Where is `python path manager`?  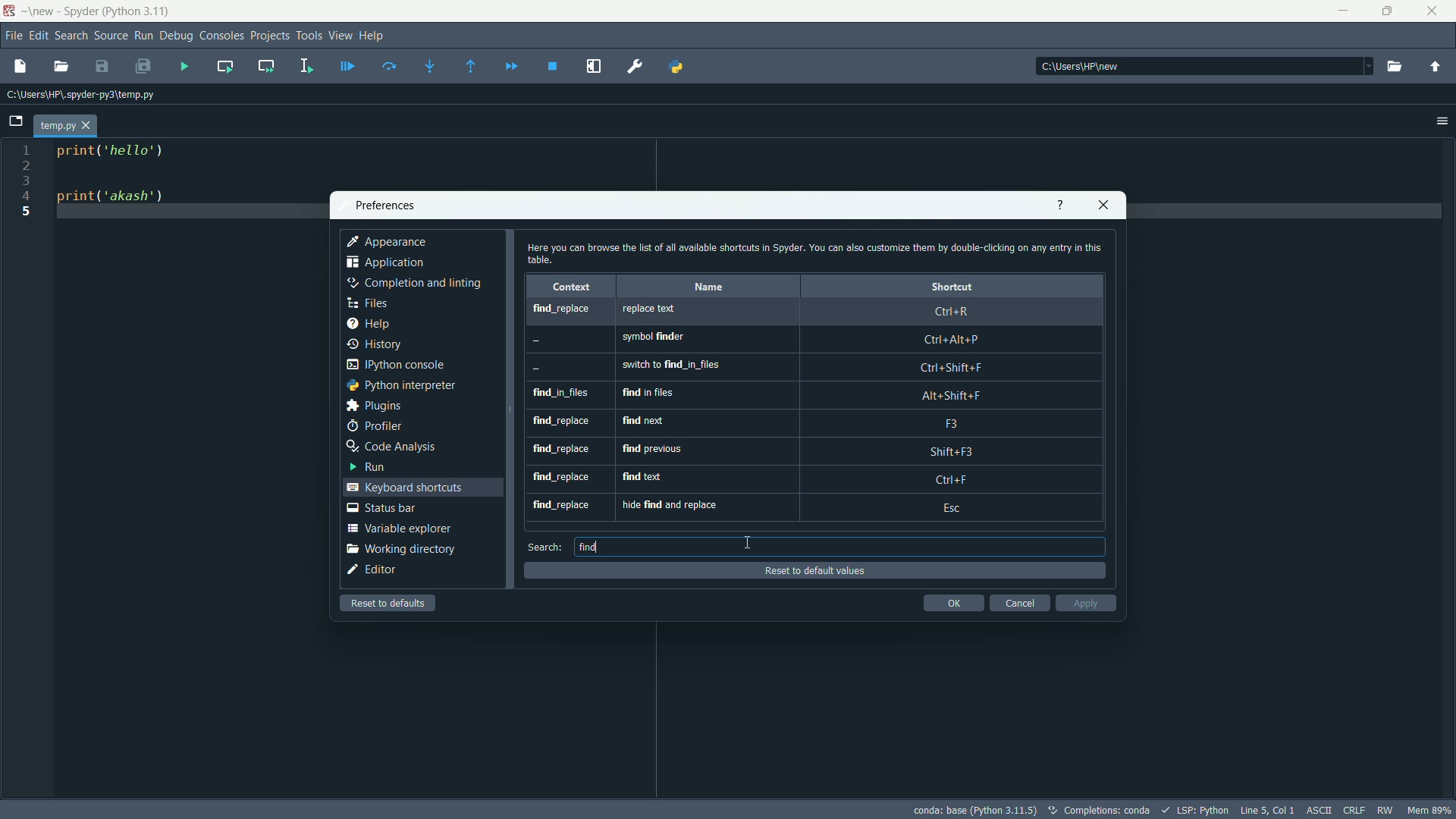
python path manager is located at coordinates (676, 67).